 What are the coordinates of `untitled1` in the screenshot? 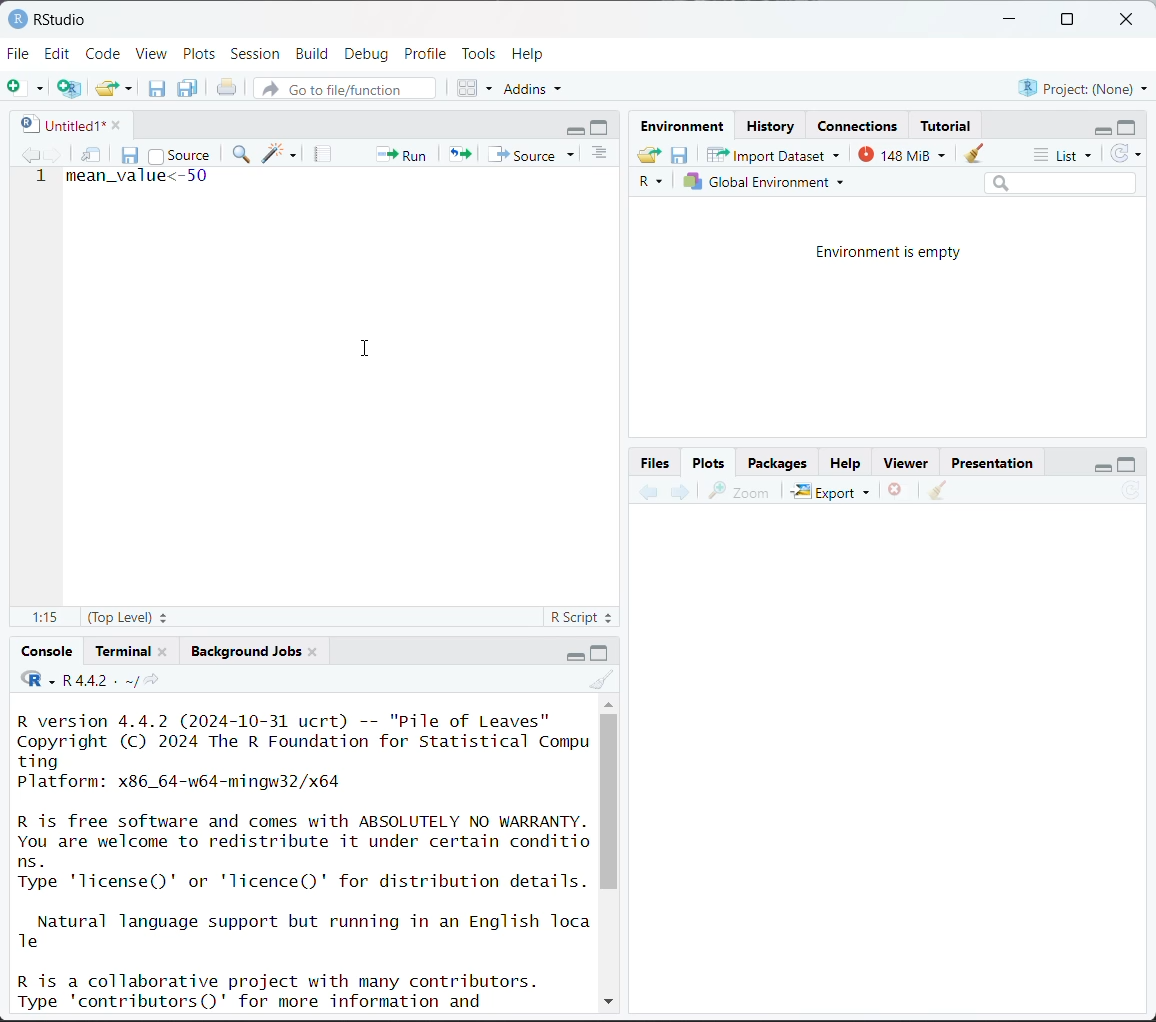 It's located at (58, 124).